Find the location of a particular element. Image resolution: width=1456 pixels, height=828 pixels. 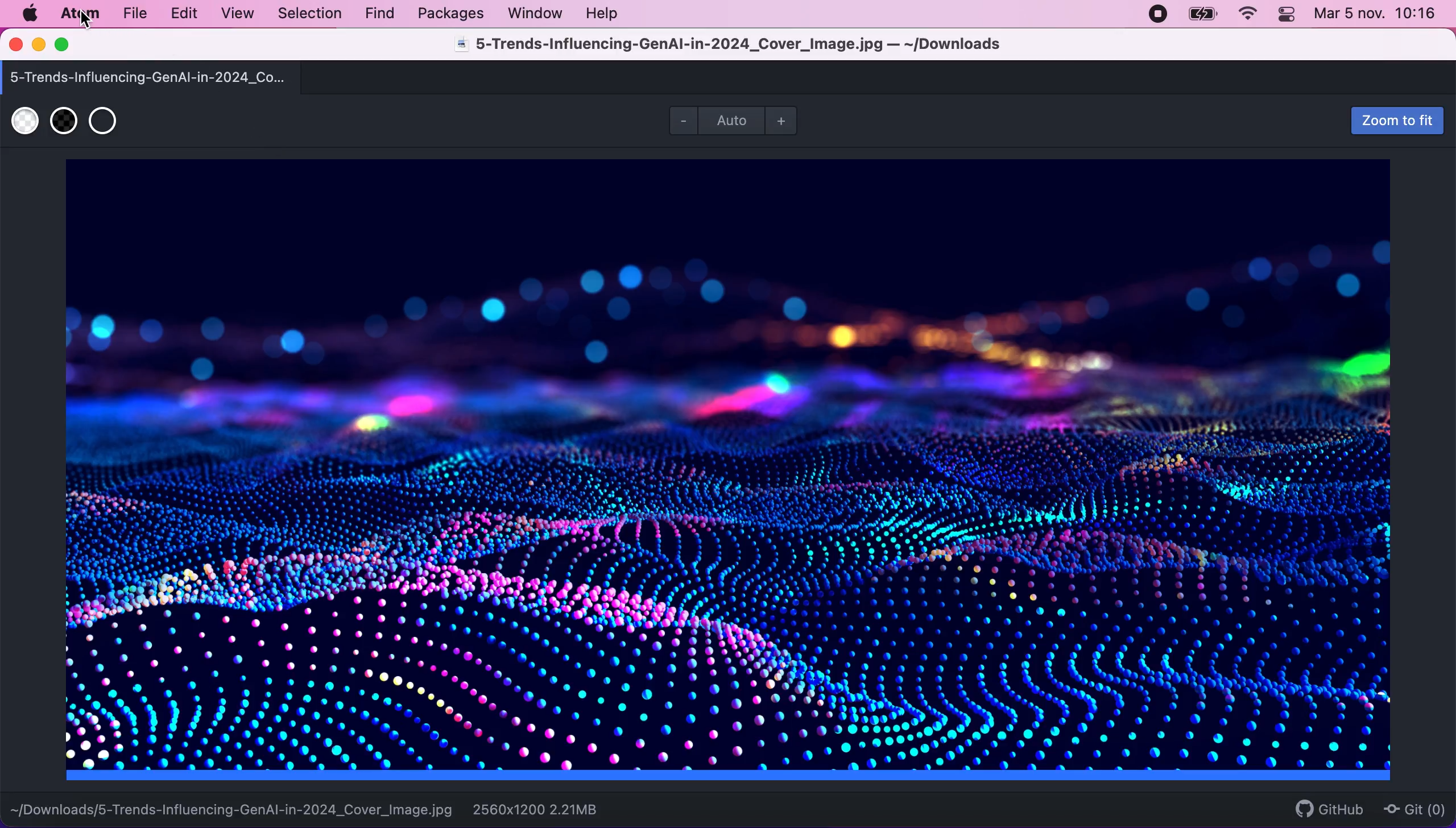

battery is located at coordinates (1202, 14).